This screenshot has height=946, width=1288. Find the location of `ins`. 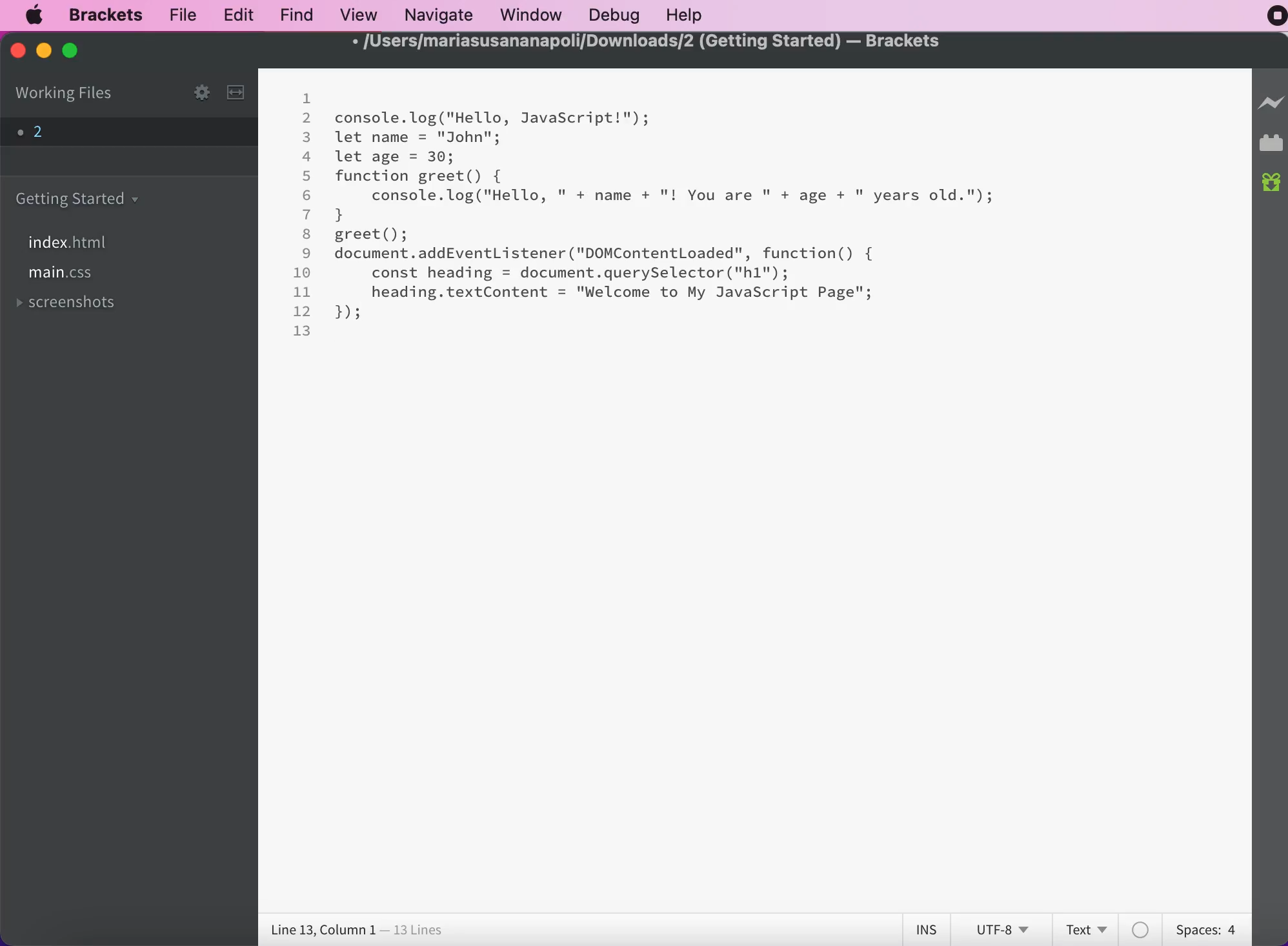

ins is located at coordinates (923, 927).